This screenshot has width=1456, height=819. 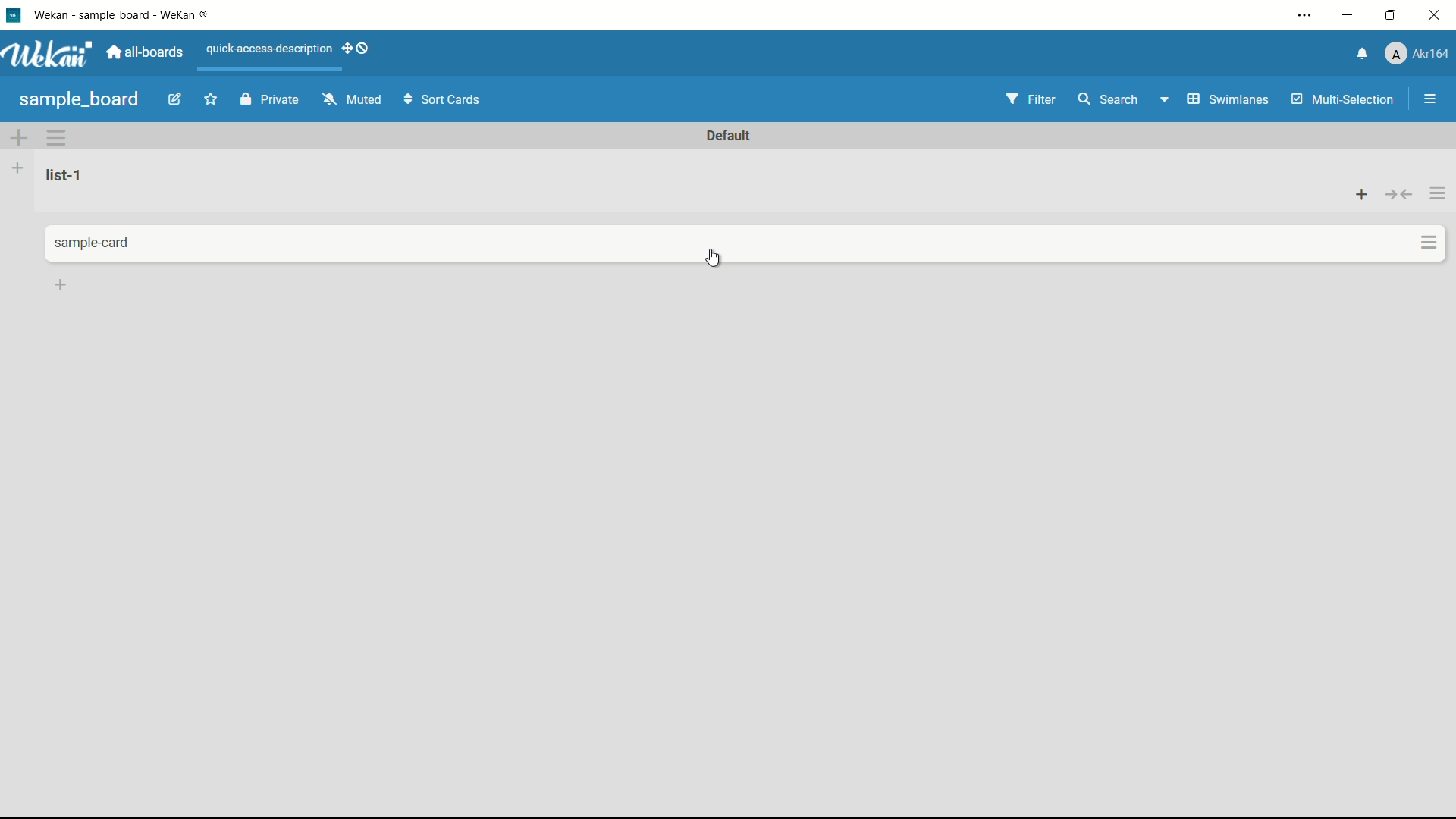 What do you see at coordinates (1226, 99) in the screenshot?
I see `swimlanes` at bounding box center [1226, 99].